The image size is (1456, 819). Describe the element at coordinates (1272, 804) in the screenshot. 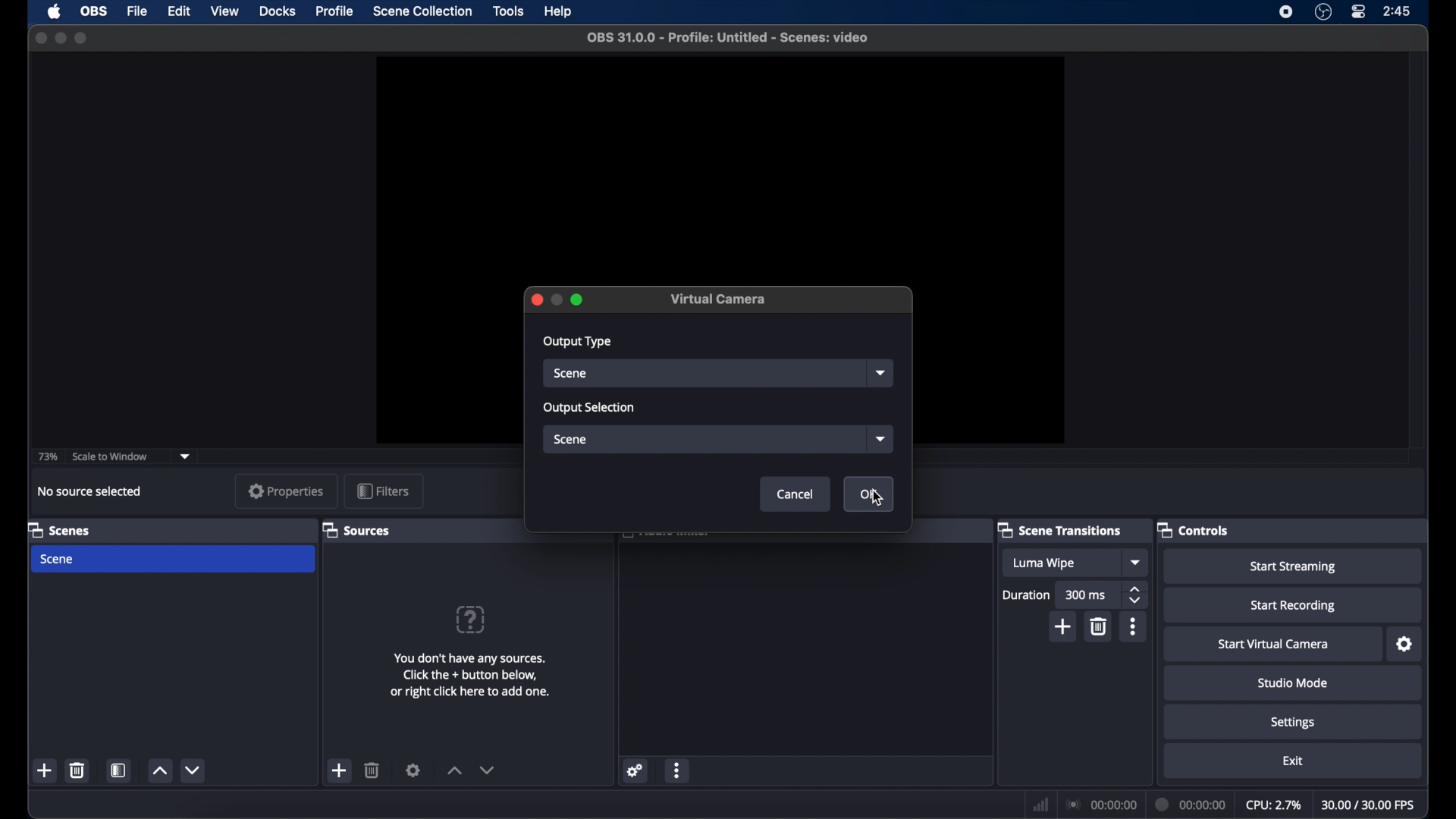

I see `cpu` at that location.